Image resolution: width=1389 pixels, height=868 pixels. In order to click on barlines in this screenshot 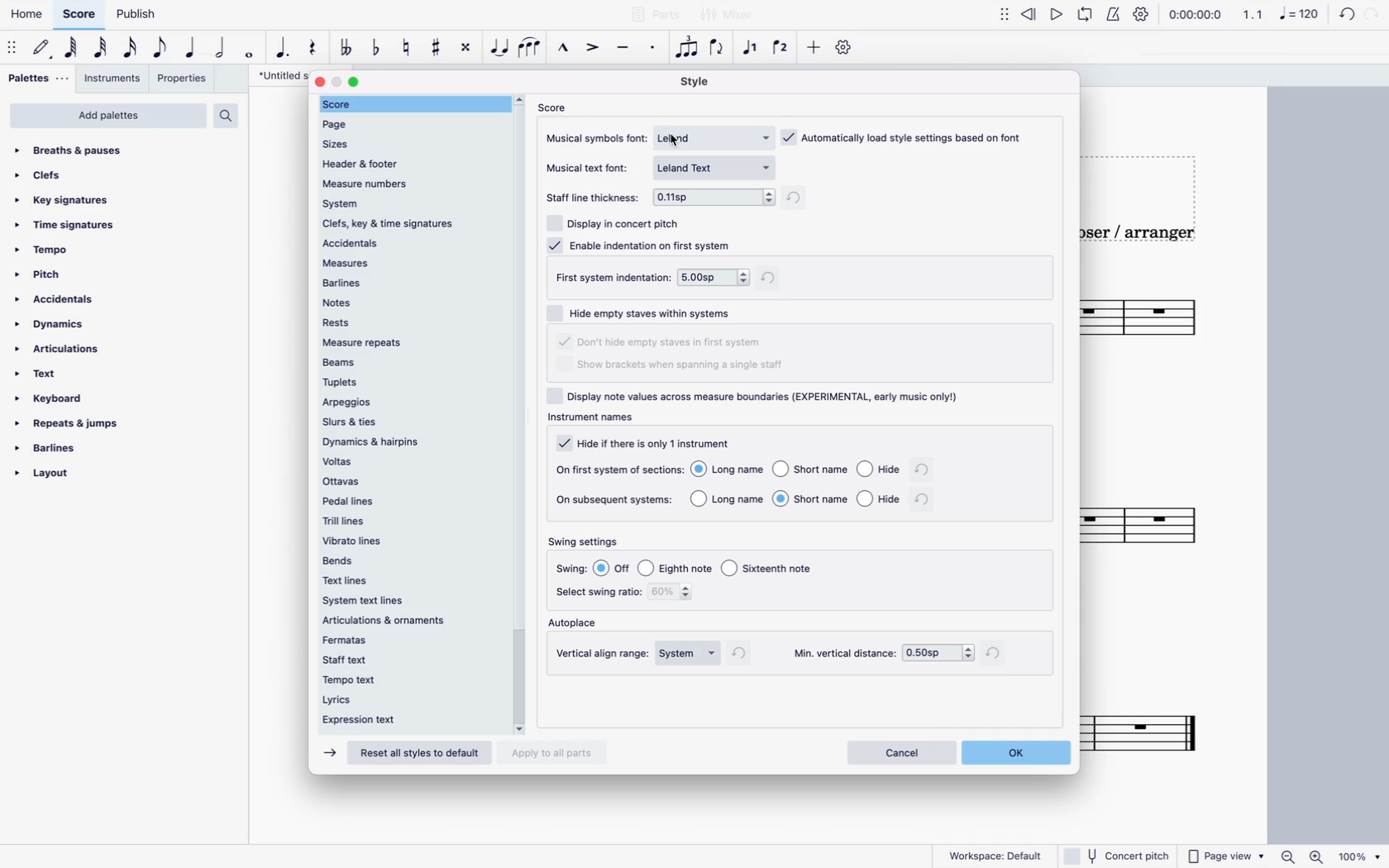, I will do `click(410, 283)`.